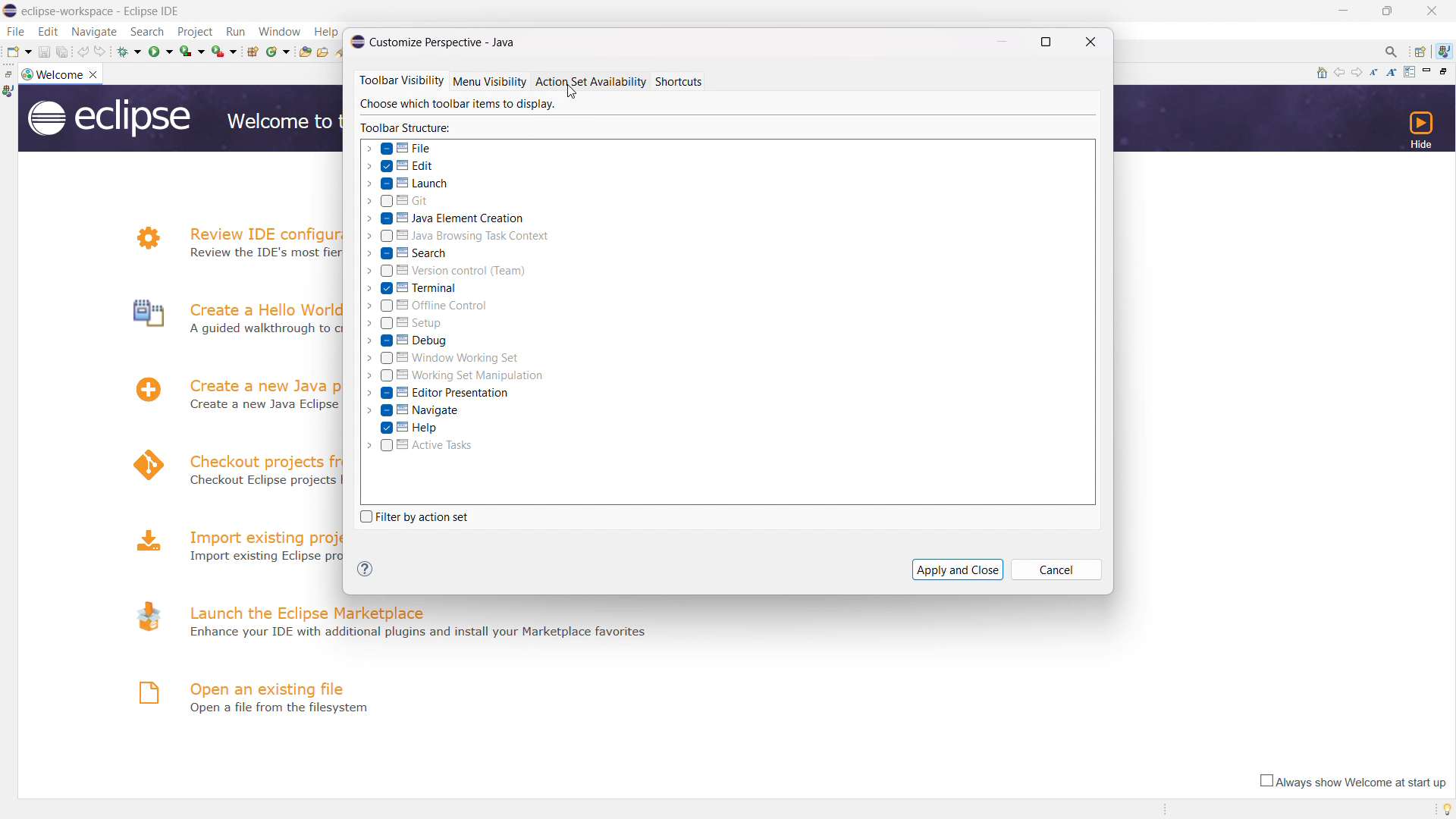 The image size is (1456, 819). Describe the element at coordinates (149, 32) in the screenshot. I see `search` at that location.